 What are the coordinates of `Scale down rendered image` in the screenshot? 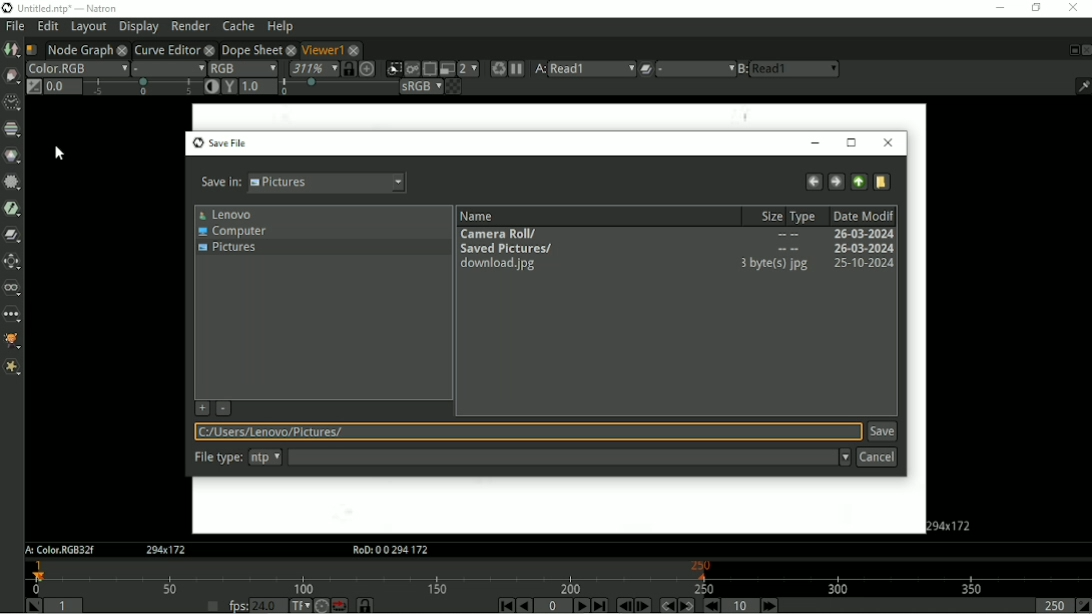 It's located at (470, 68).